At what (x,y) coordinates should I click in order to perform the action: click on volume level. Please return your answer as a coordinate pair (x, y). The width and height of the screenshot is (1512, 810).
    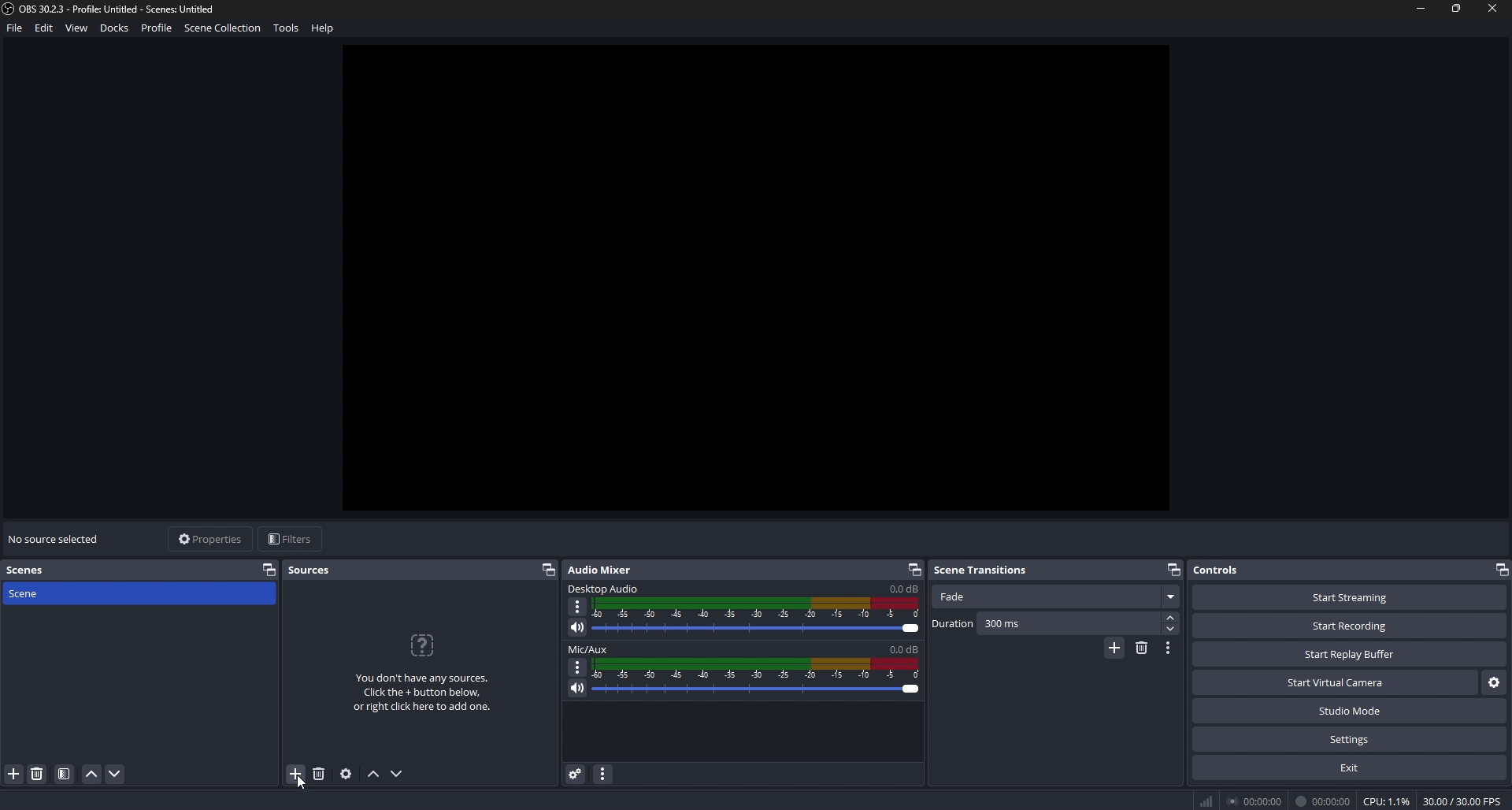
    Looking at the image, I should click on (903, 588).